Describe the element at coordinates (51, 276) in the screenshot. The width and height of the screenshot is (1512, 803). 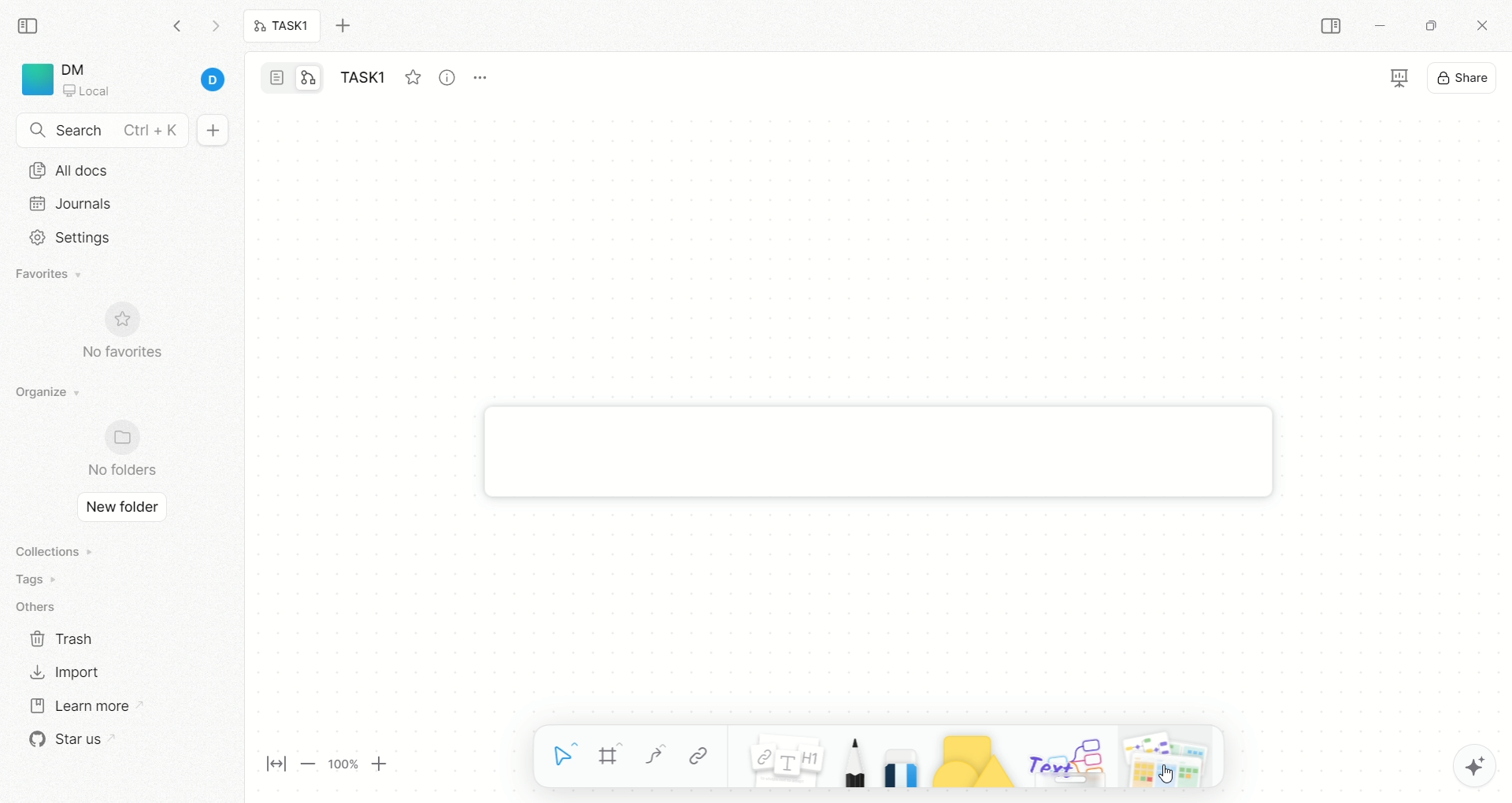
I see `favorites` at that location.